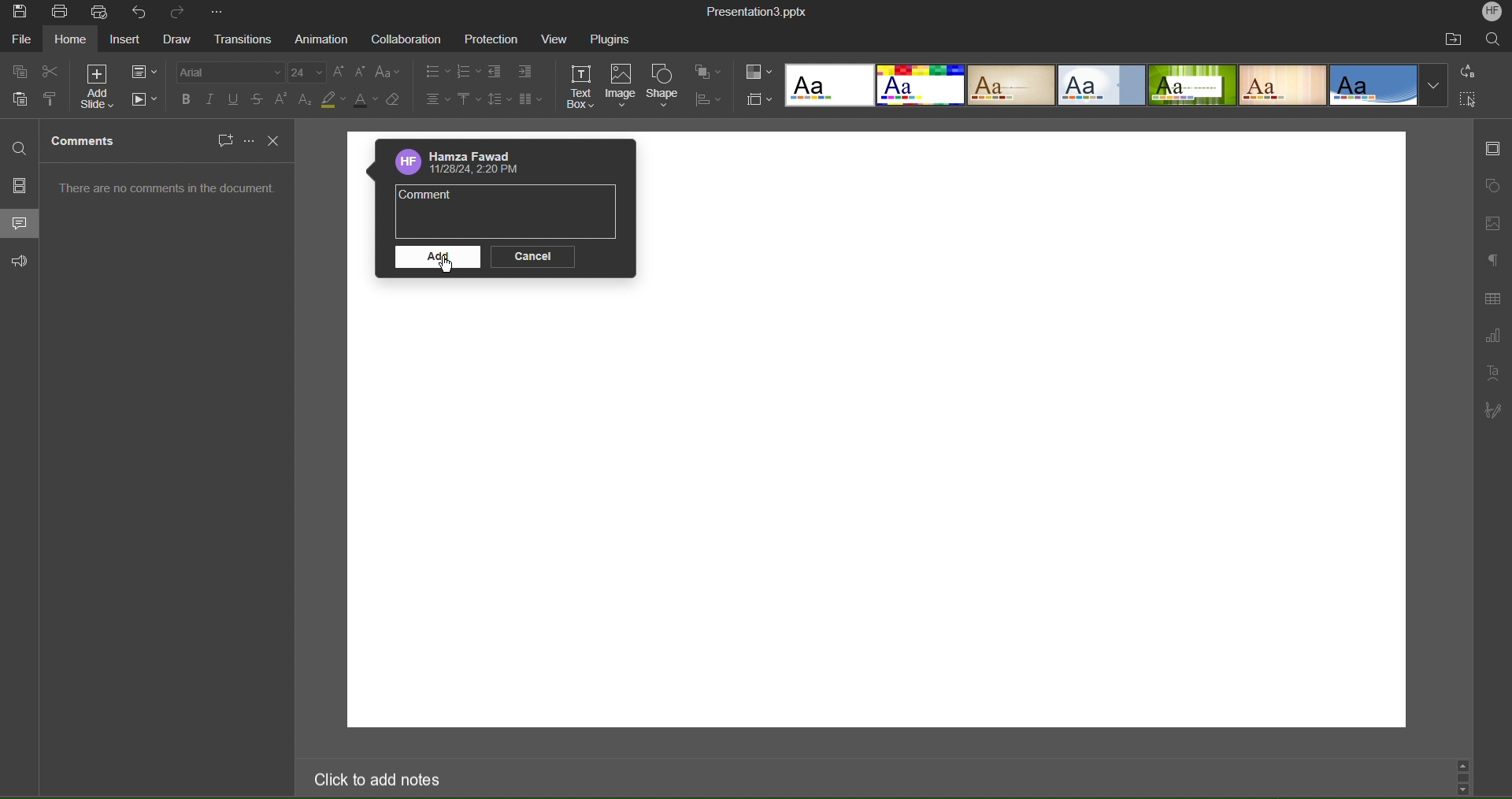 Image resolution: width=1512 pixels, height=799 pixels. I want to click on home, so click(72, 41).